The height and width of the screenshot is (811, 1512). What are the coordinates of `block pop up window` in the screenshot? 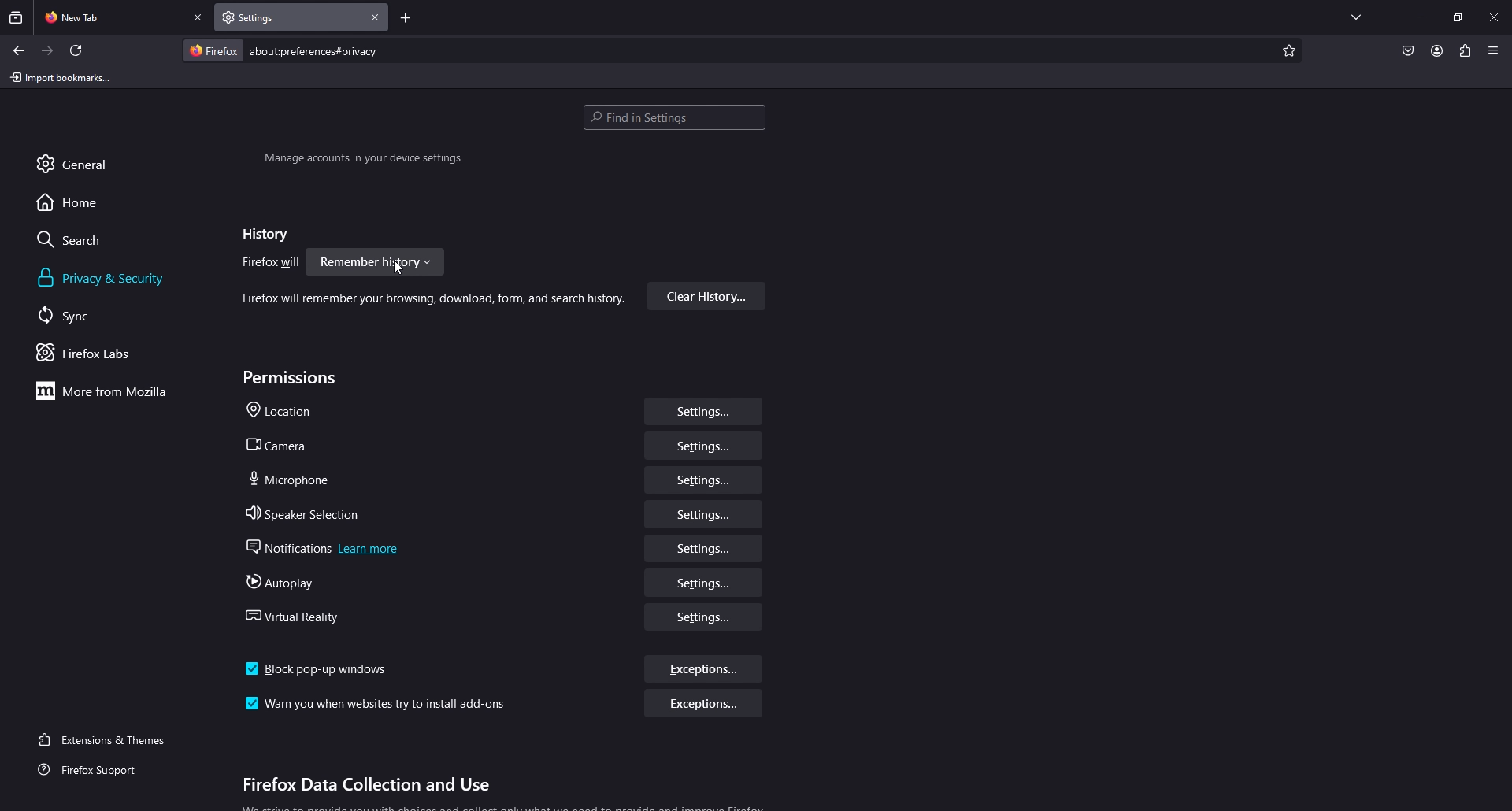 It's located at (318, 669).